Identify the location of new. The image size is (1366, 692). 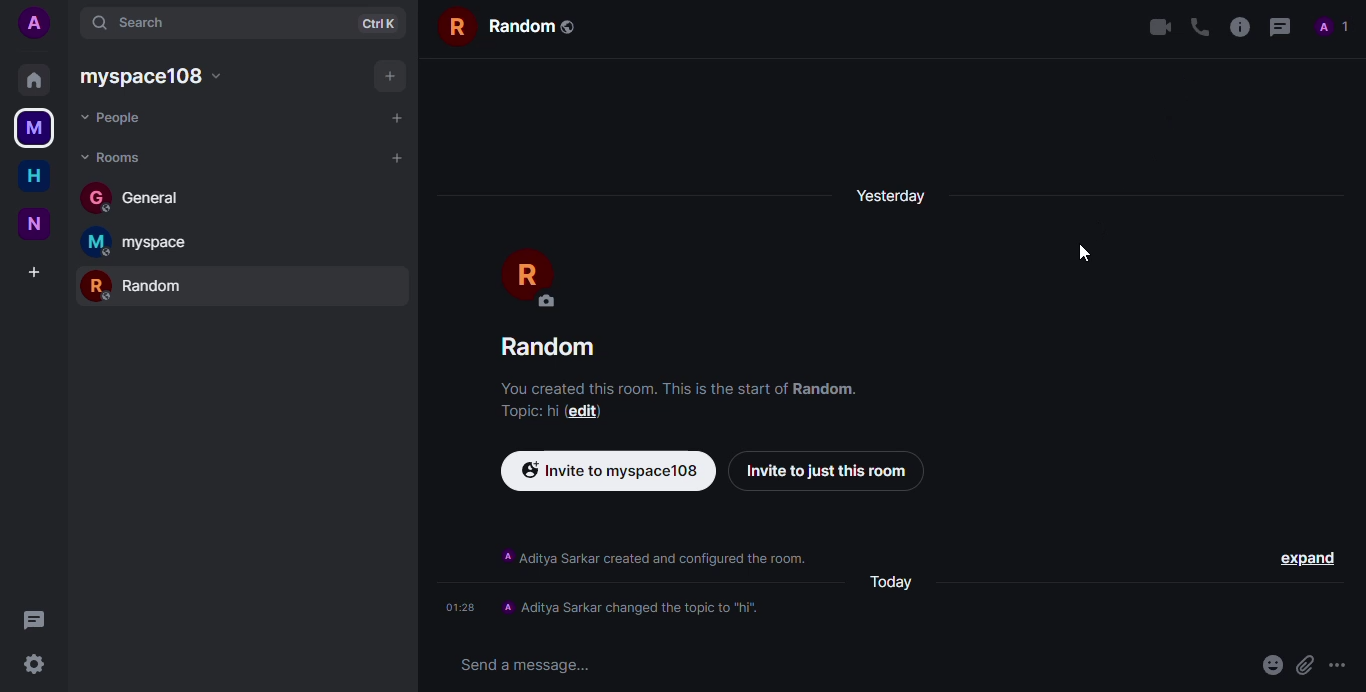
(33, 225).